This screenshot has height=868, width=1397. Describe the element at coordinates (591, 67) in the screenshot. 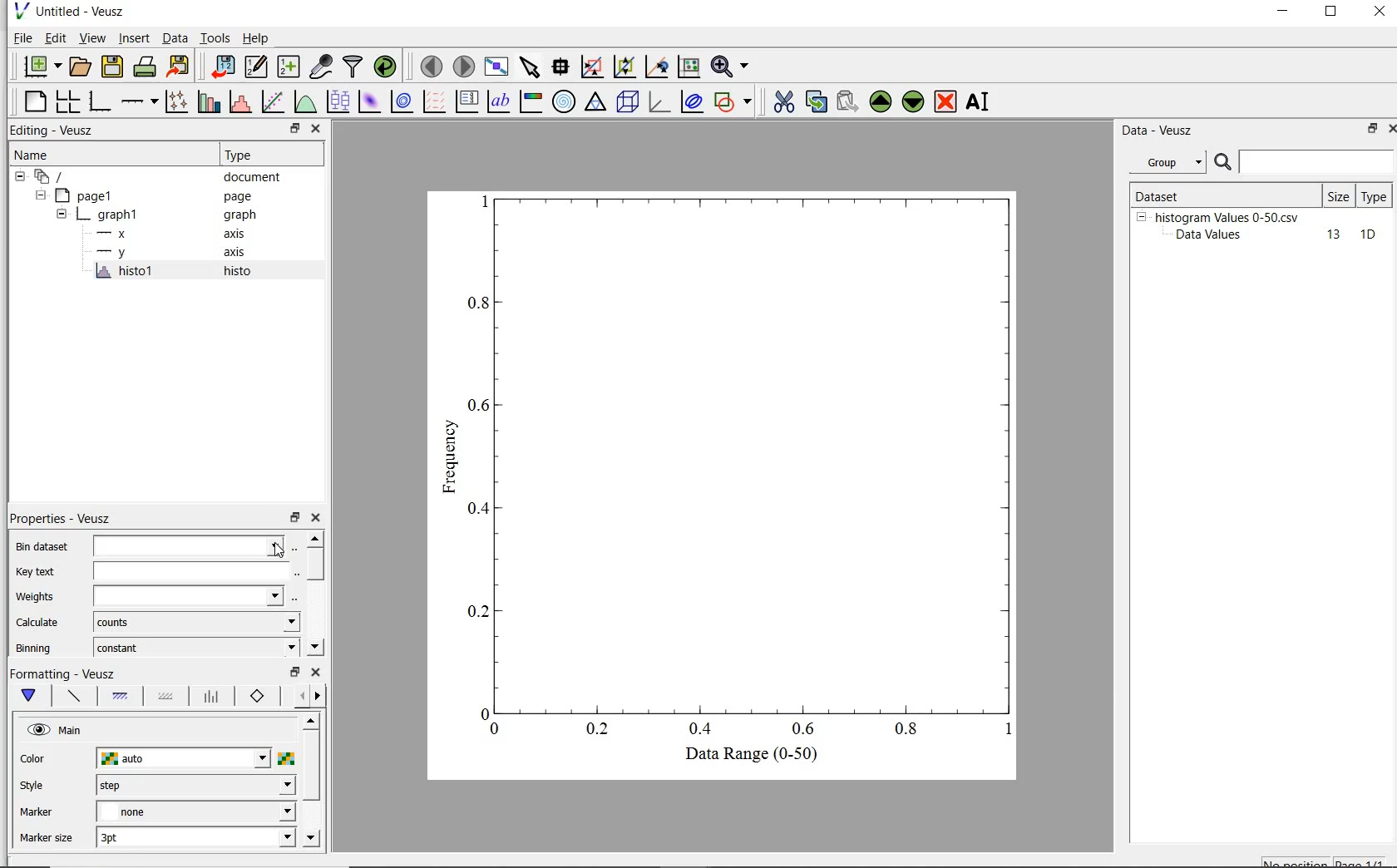

I see `click to reset graph axes` at that location.